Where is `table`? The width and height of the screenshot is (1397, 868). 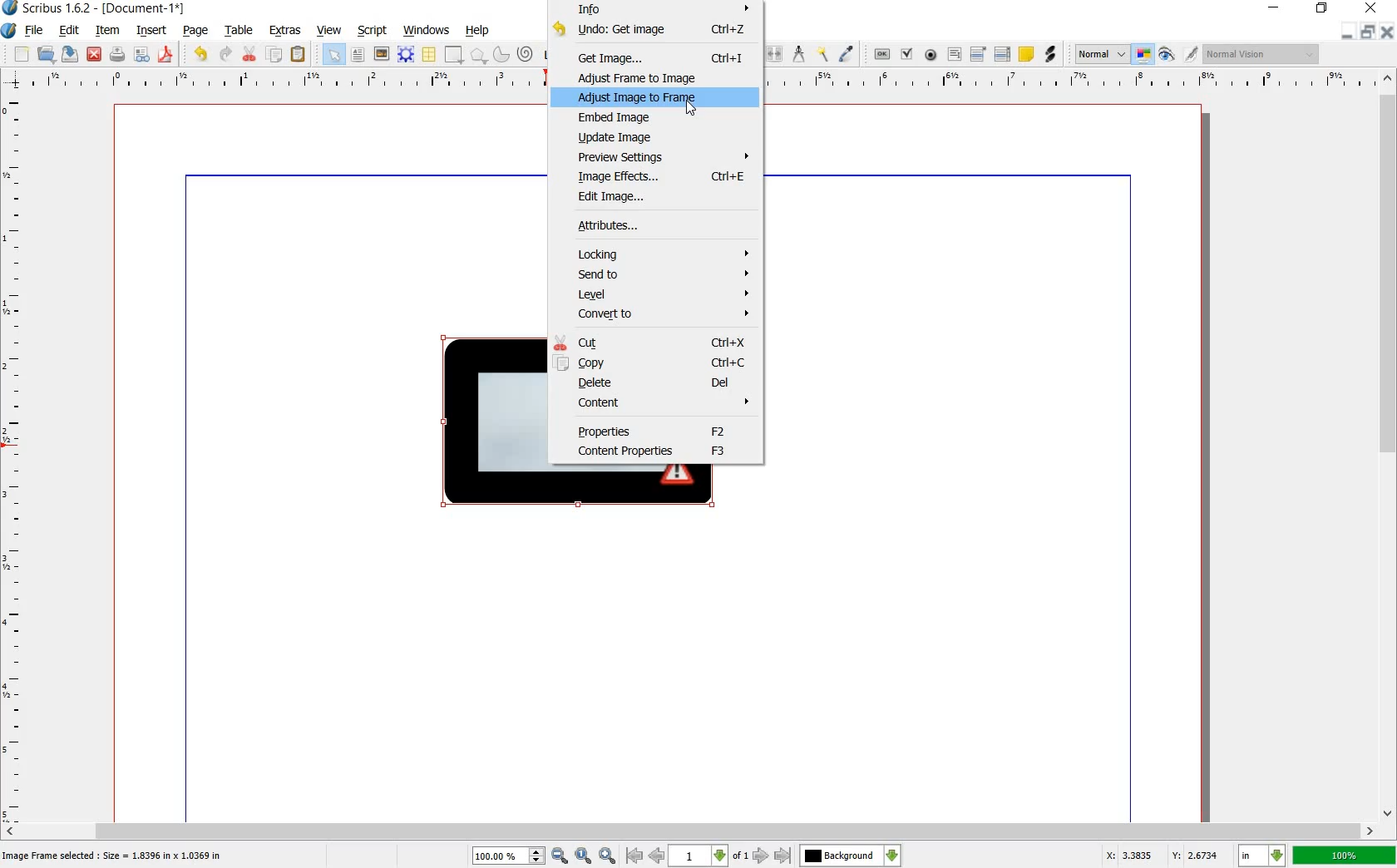 table is located at coordinates (240, 31).